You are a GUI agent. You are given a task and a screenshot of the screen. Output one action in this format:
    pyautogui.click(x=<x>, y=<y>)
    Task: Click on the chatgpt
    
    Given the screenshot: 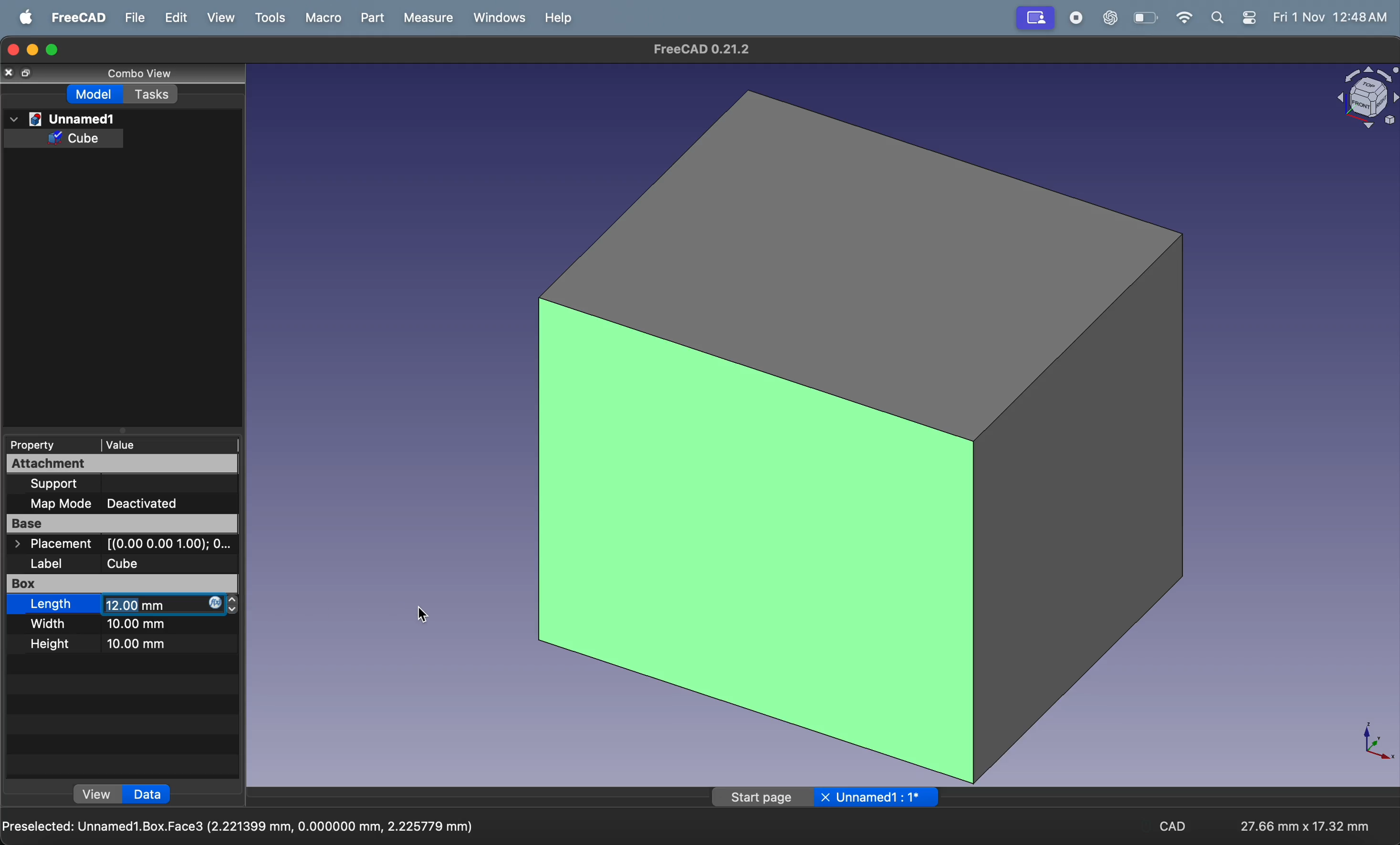 What is the action you would take?
    pyautogui.click(x=1106, y=17)
    